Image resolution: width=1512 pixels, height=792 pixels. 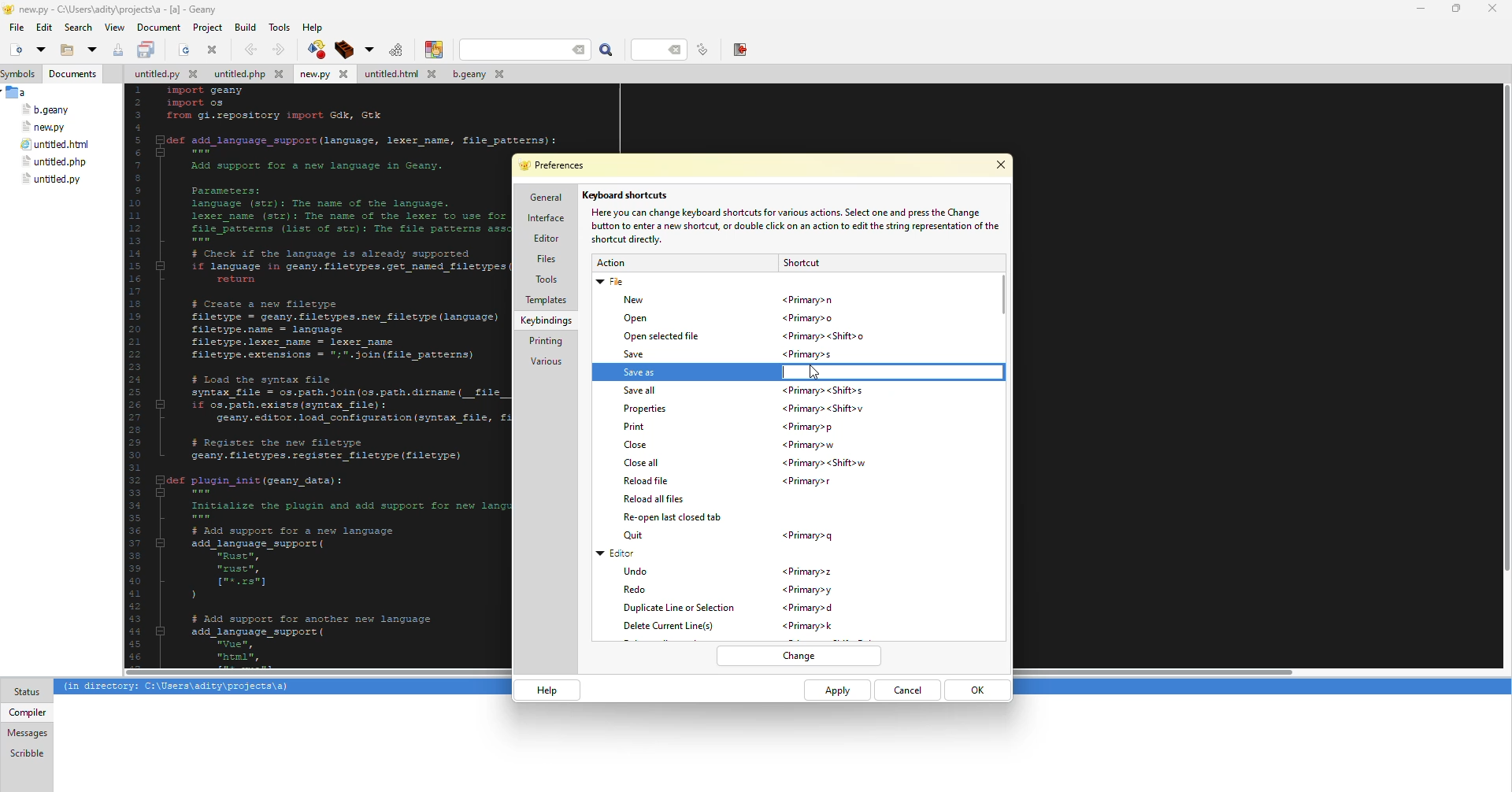 What do you see at coordinates (25, 753) in the screenshot?
I see `scribble` at bounding box center [25, 753].